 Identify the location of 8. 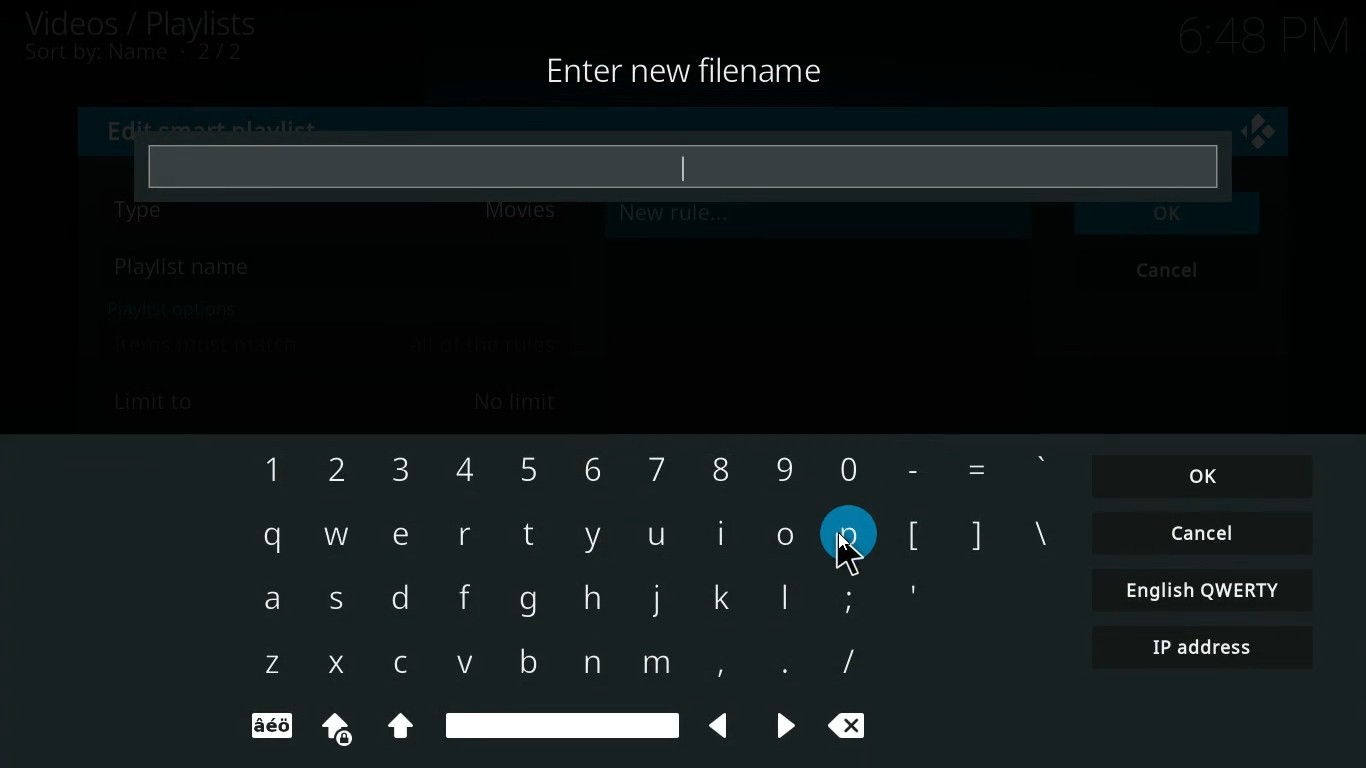
(714, 466).